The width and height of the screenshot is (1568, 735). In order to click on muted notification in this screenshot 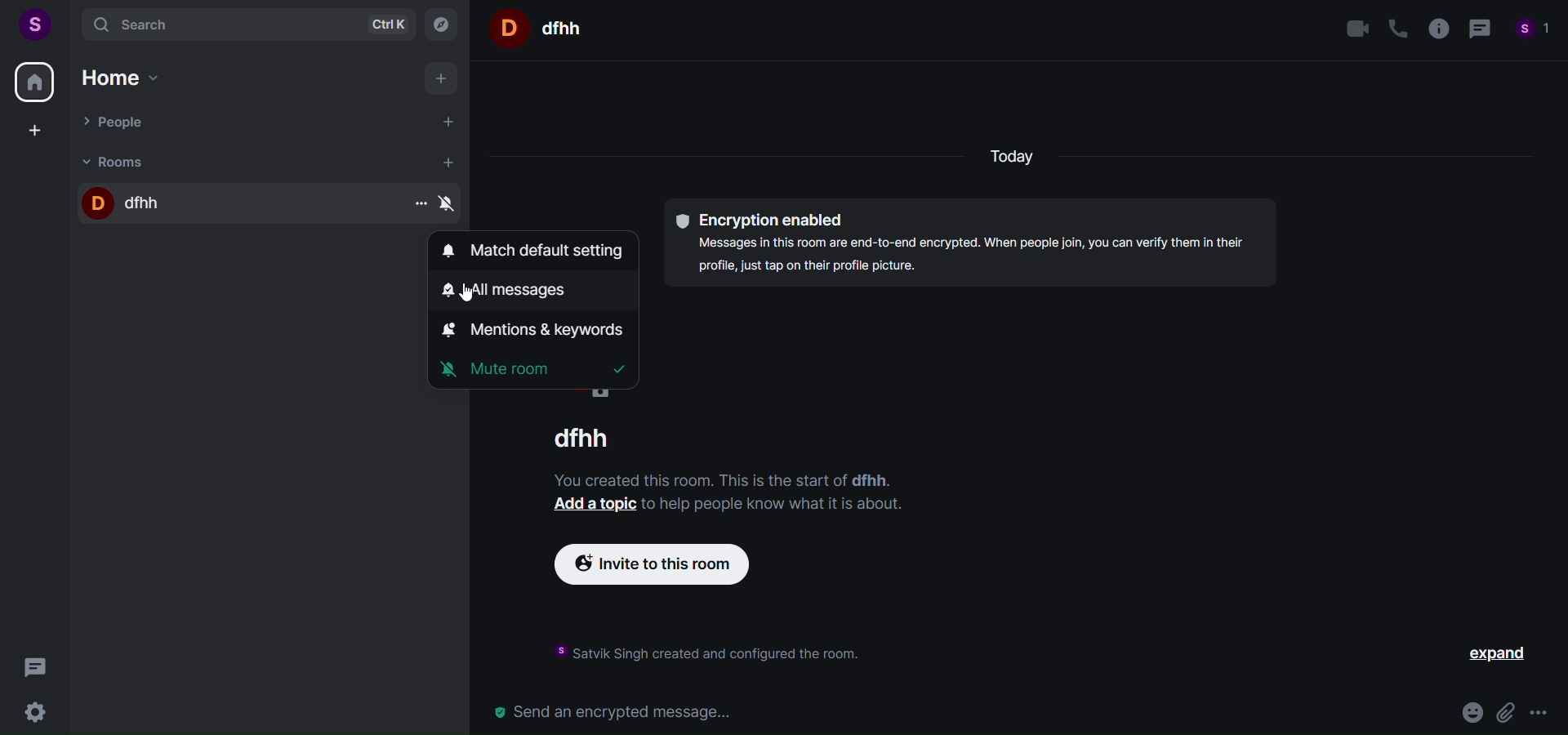, I will do `click(451, 205)`.